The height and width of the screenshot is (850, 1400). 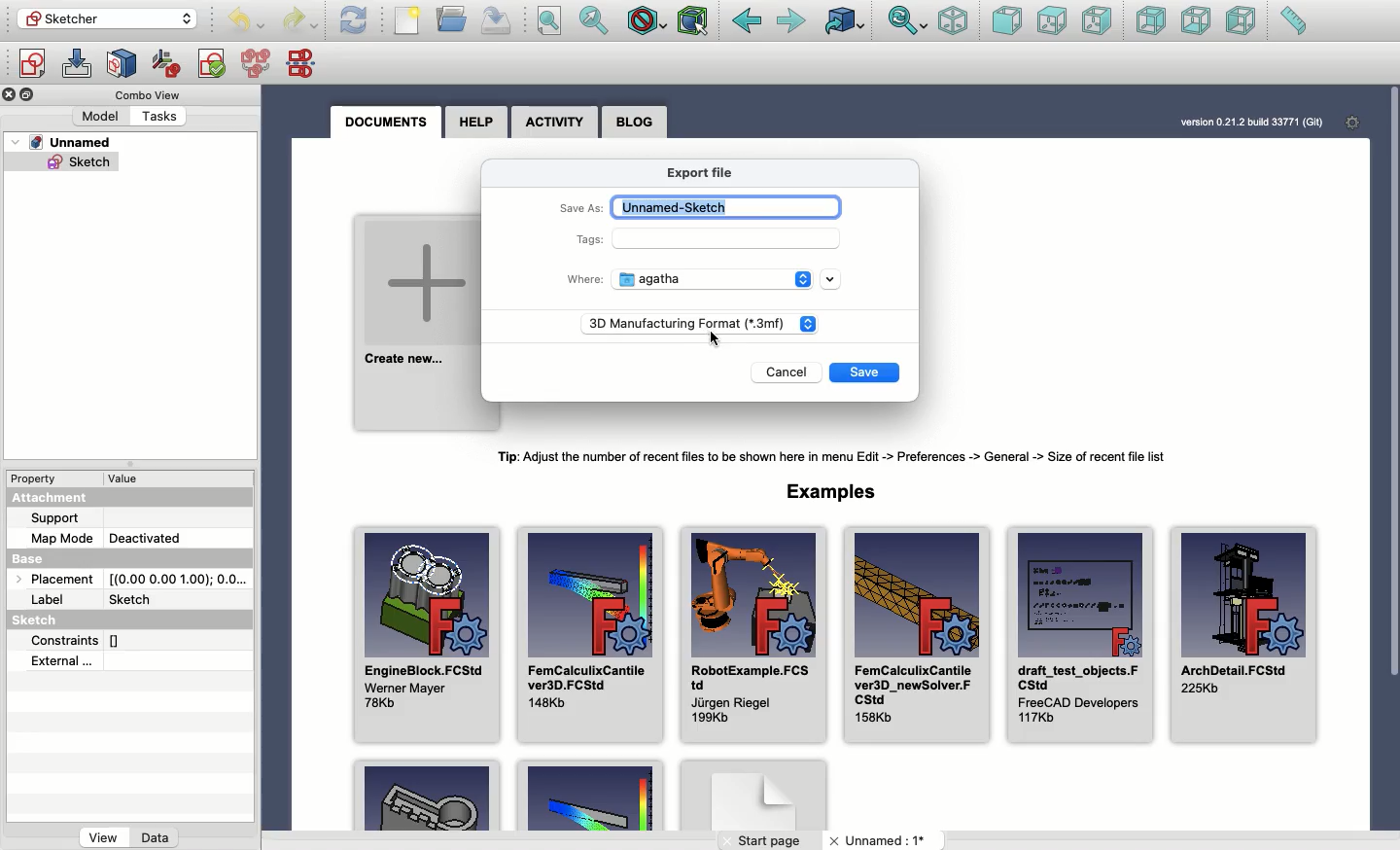 I want to click on Create new, so click(x=416, y=322).